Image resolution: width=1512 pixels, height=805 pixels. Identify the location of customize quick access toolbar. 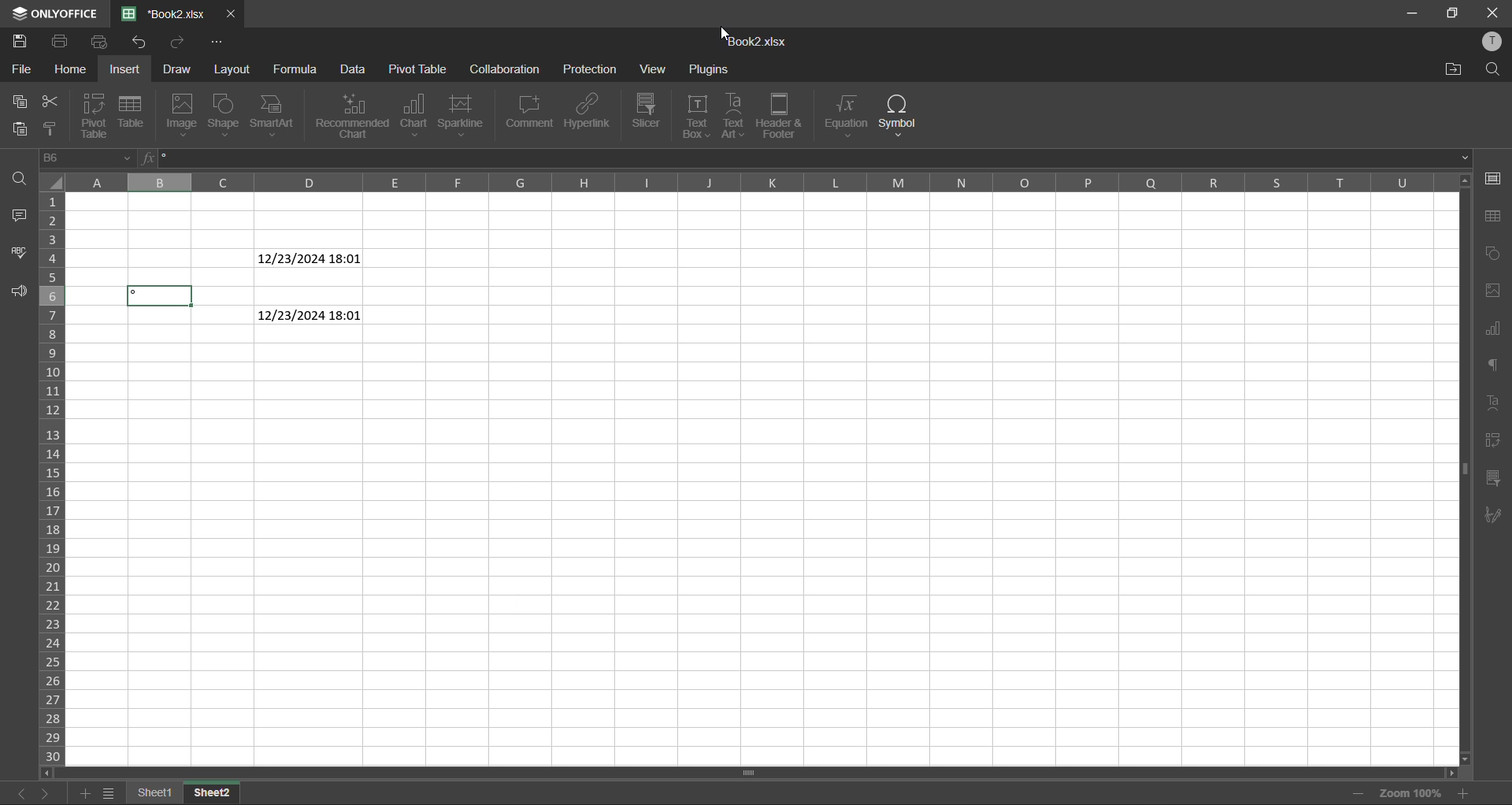
(217, 41).